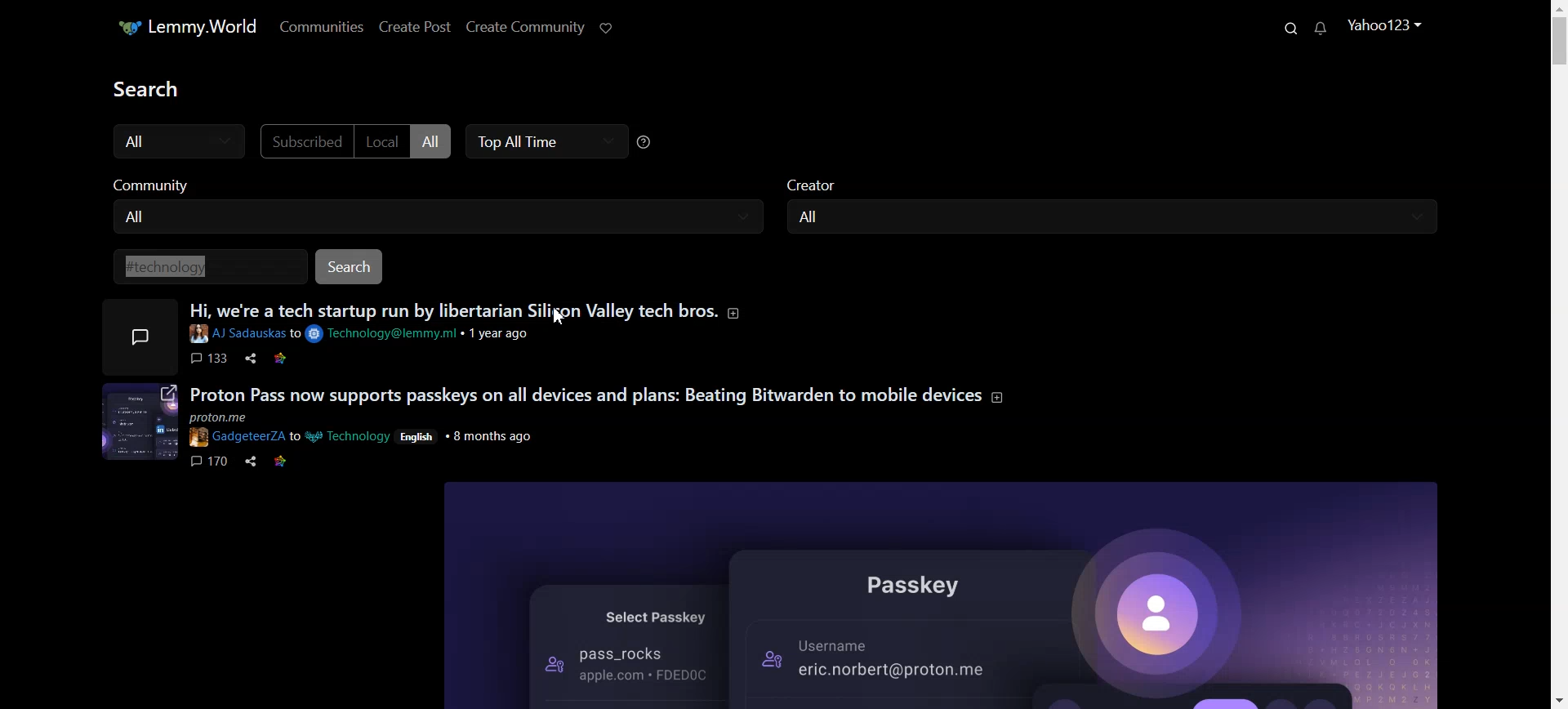 Image resolution: width=1568 pixels, height=709 pixels. Describe the element at coordinates (381, 140) in the screenshot. I see `Local` at that location.